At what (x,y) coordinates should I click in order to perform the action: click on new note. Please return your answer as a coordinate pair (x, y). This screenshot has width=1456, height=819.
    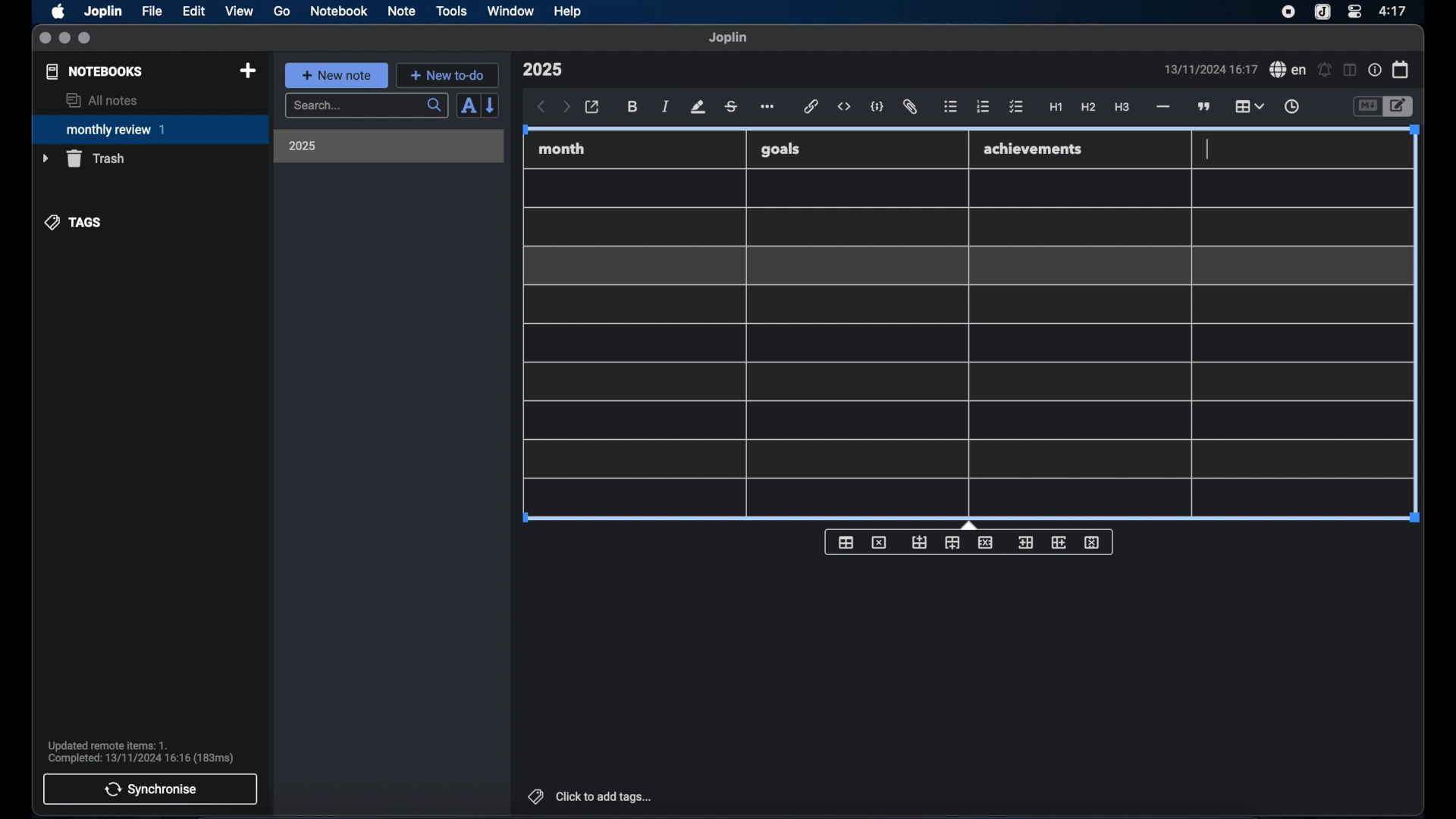
    Looking at the image, I should click on (336, 75).